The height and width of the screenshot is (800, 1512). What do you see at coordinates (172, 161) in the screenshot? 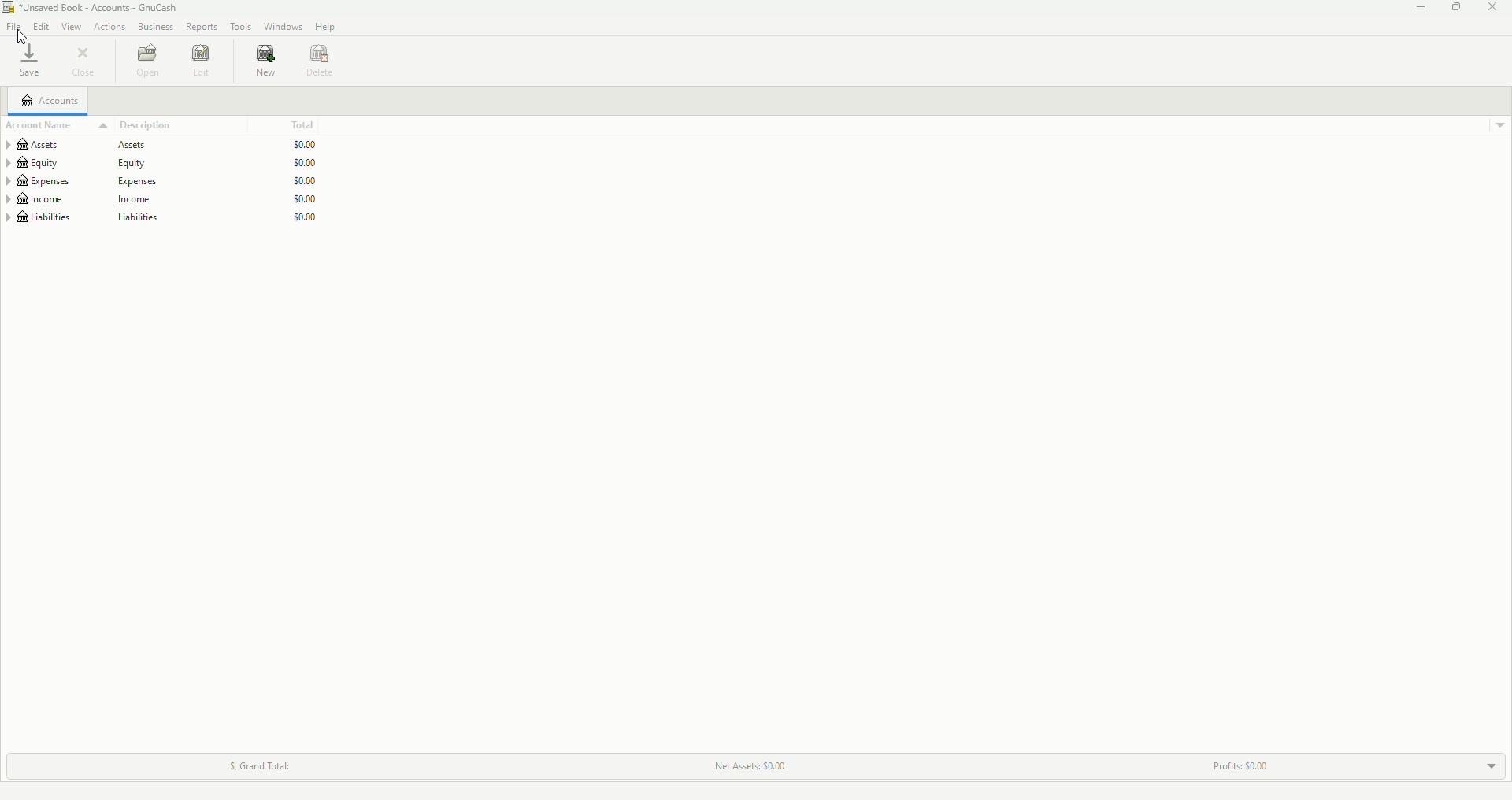
I see `Equity` at bounding box center [172, 161].